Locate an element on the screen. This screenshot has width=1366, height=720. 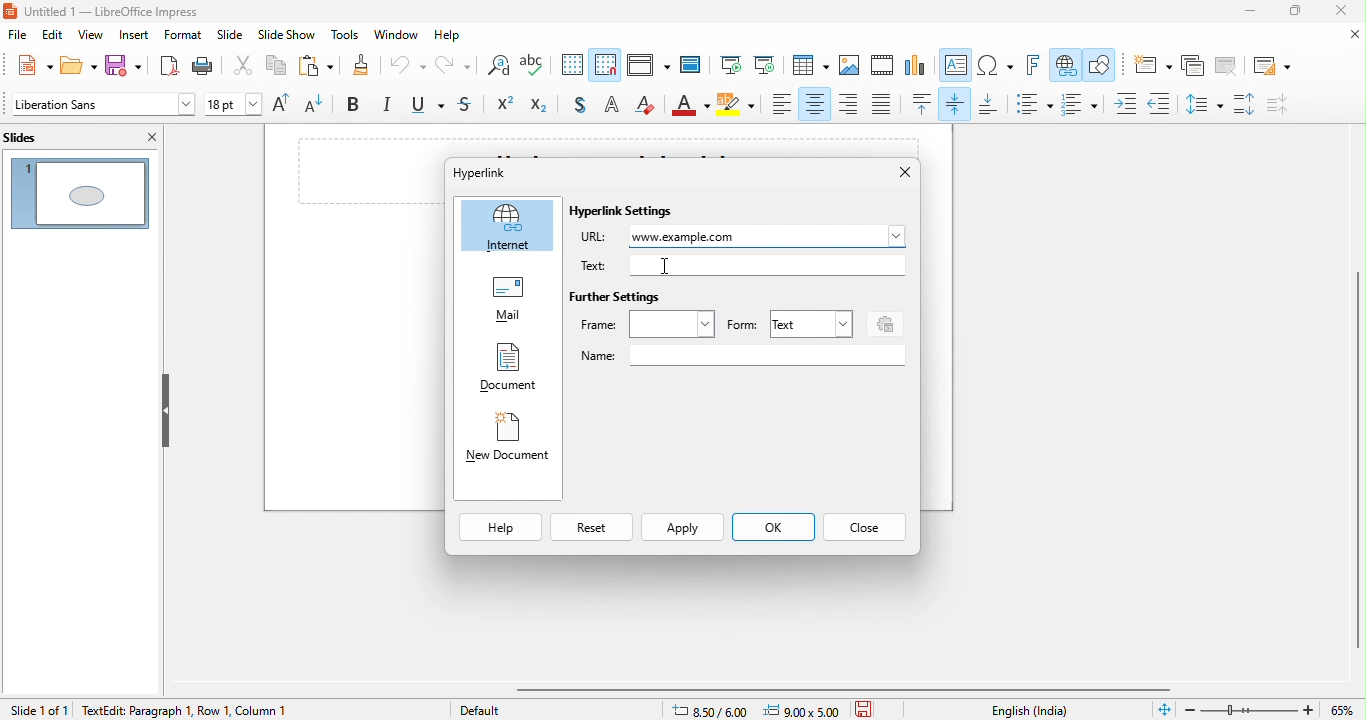
window is located at coordinates (399, 35).